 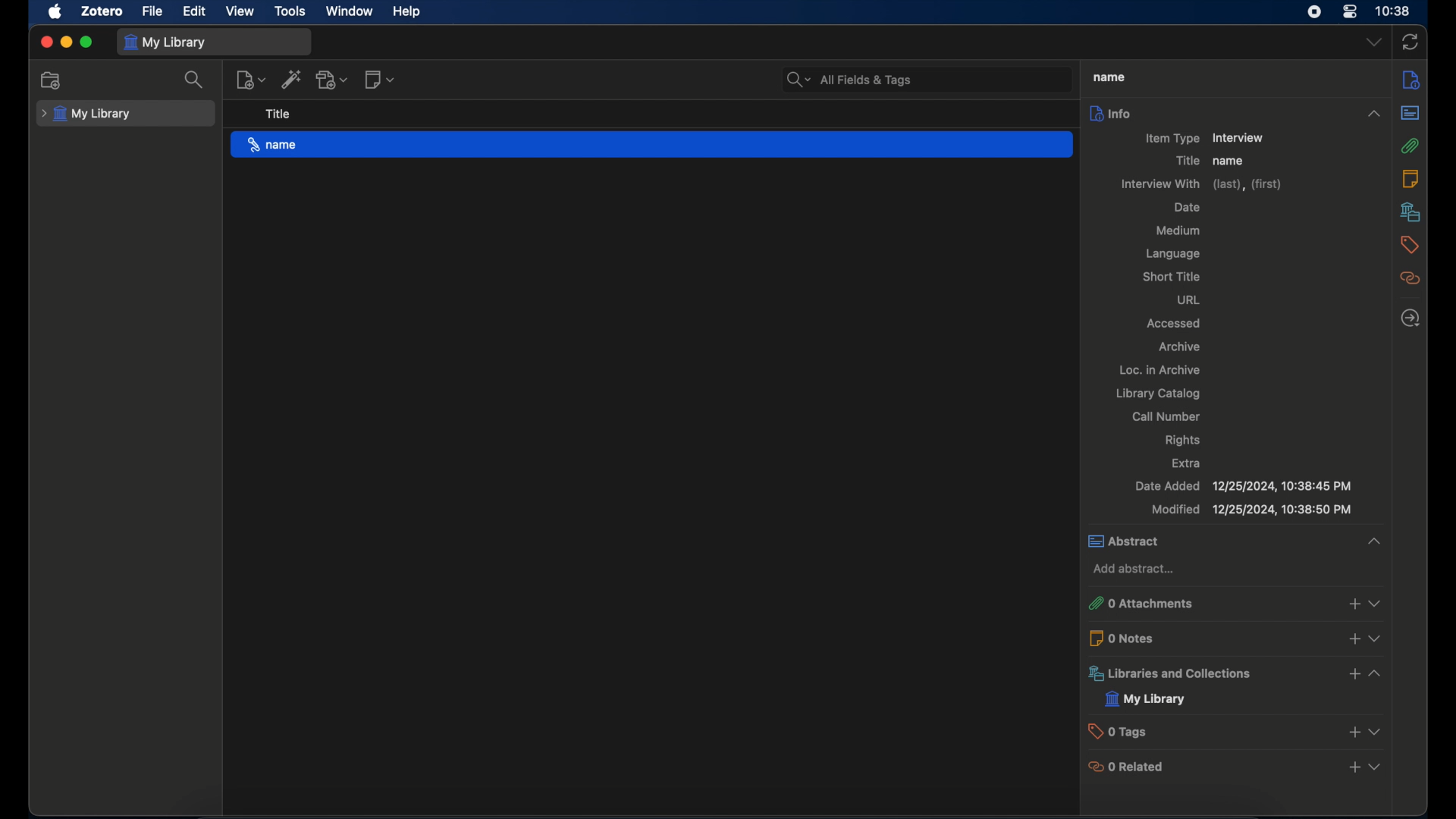 I want to click on new note, so click(x=381, y=80).